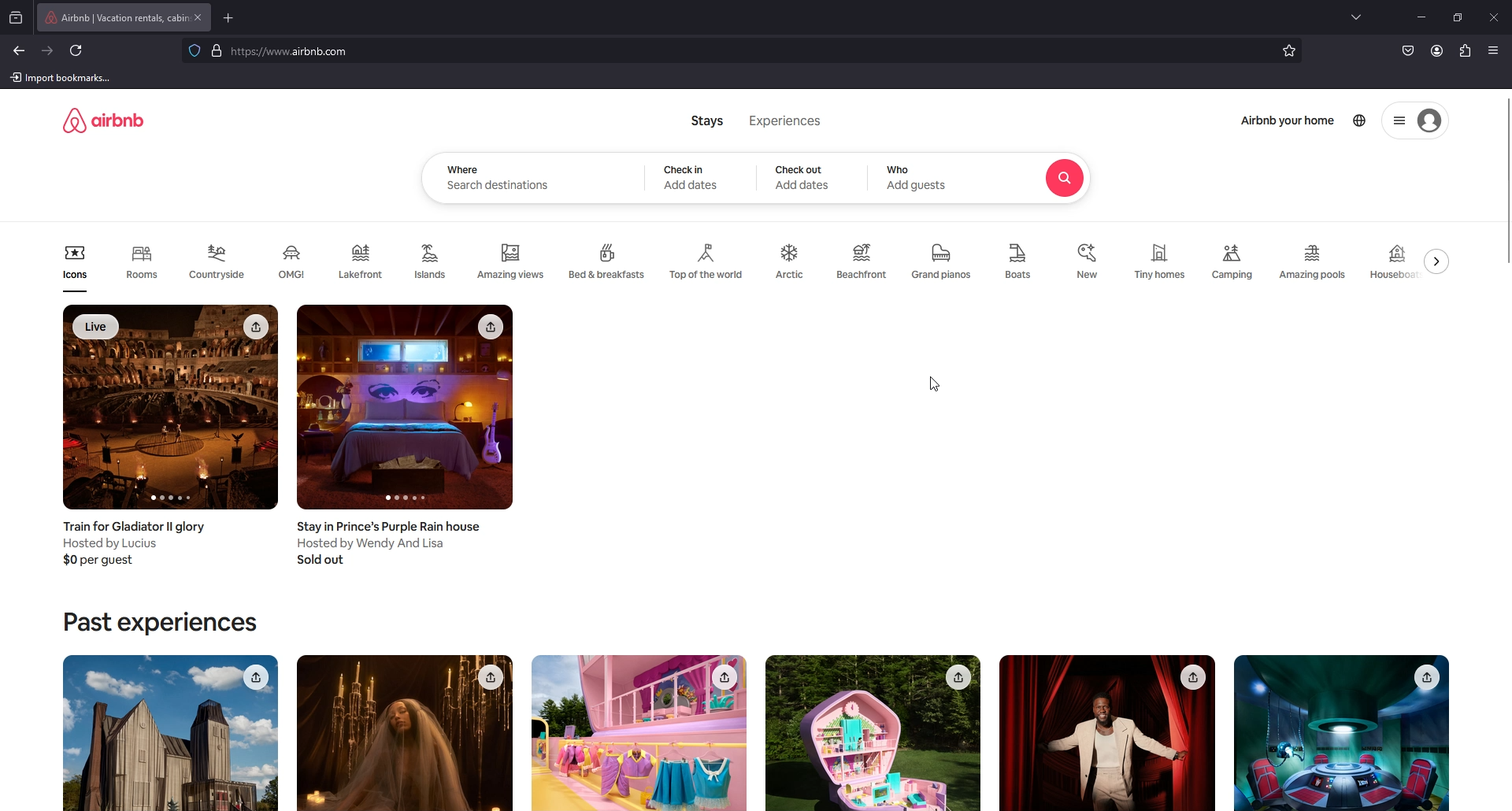 This screenshot has height=811, width=1512. Describe the element at coordinates (48, 50) in the screenshot. I see `forward` at that location.